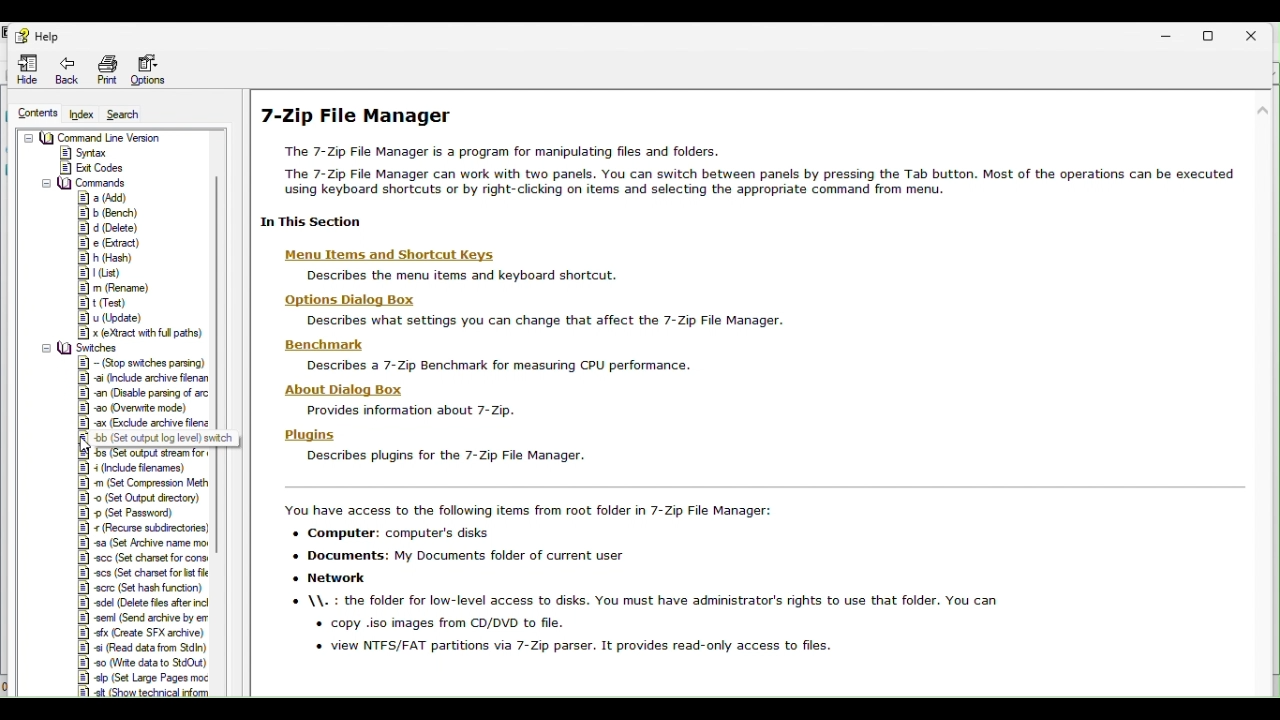  What do you see at coordinates (84, 114) in the screenshot?
I see `index` at bounding box center [84, 114].